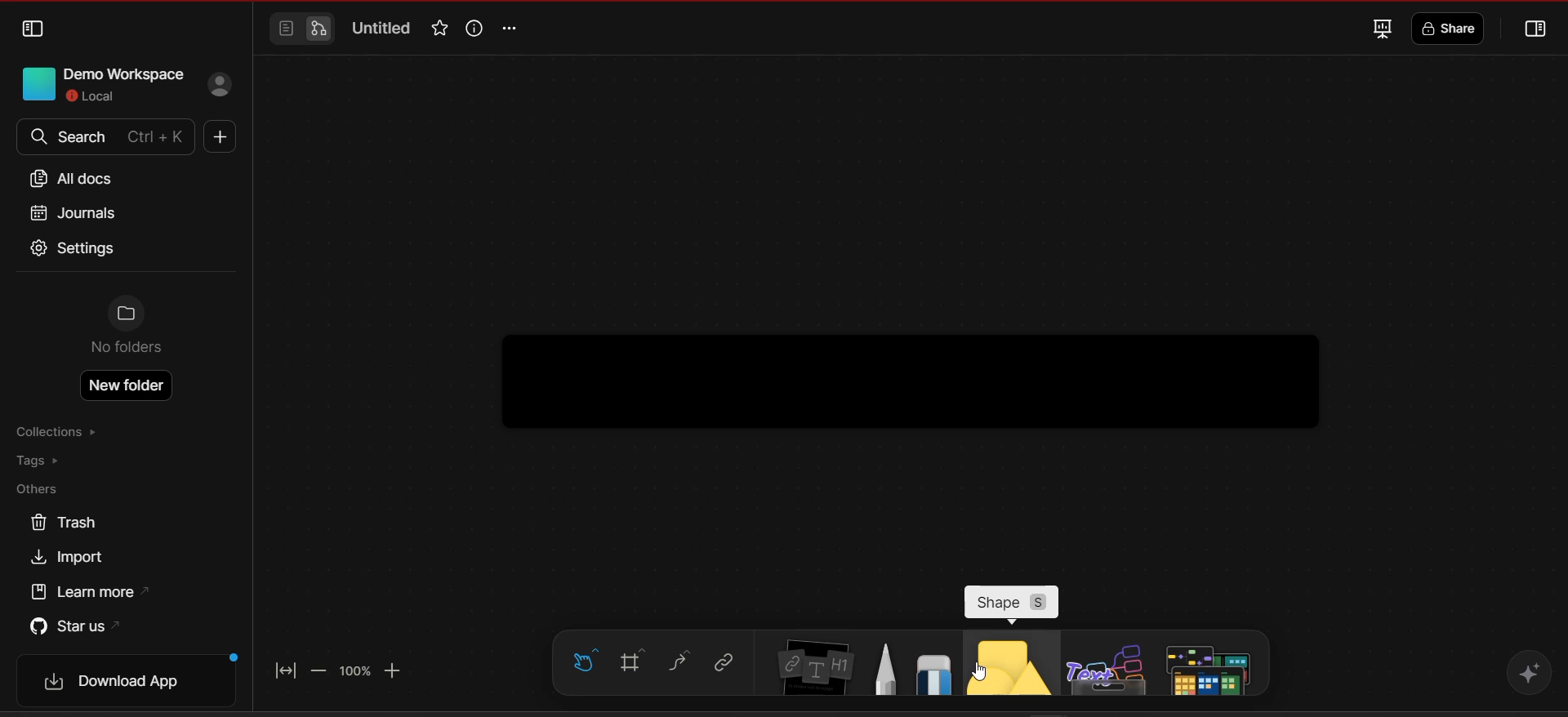  What do you see at coordinates (73, 558) in the screenshot?
I see `import` at bounding box center [73, 558].